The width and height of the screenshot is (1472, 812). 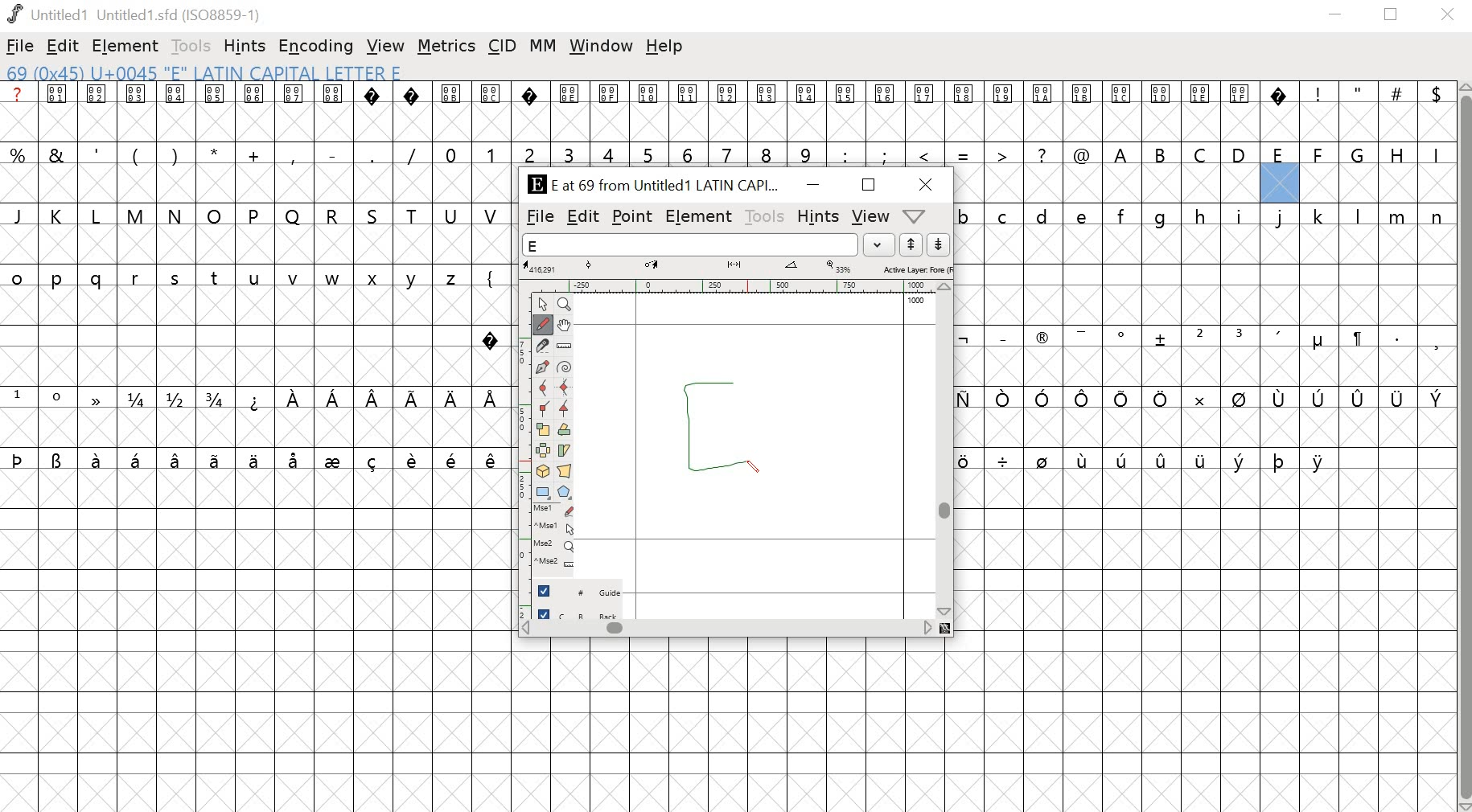 I want to click on Ruler, so click(x=565, y=345).